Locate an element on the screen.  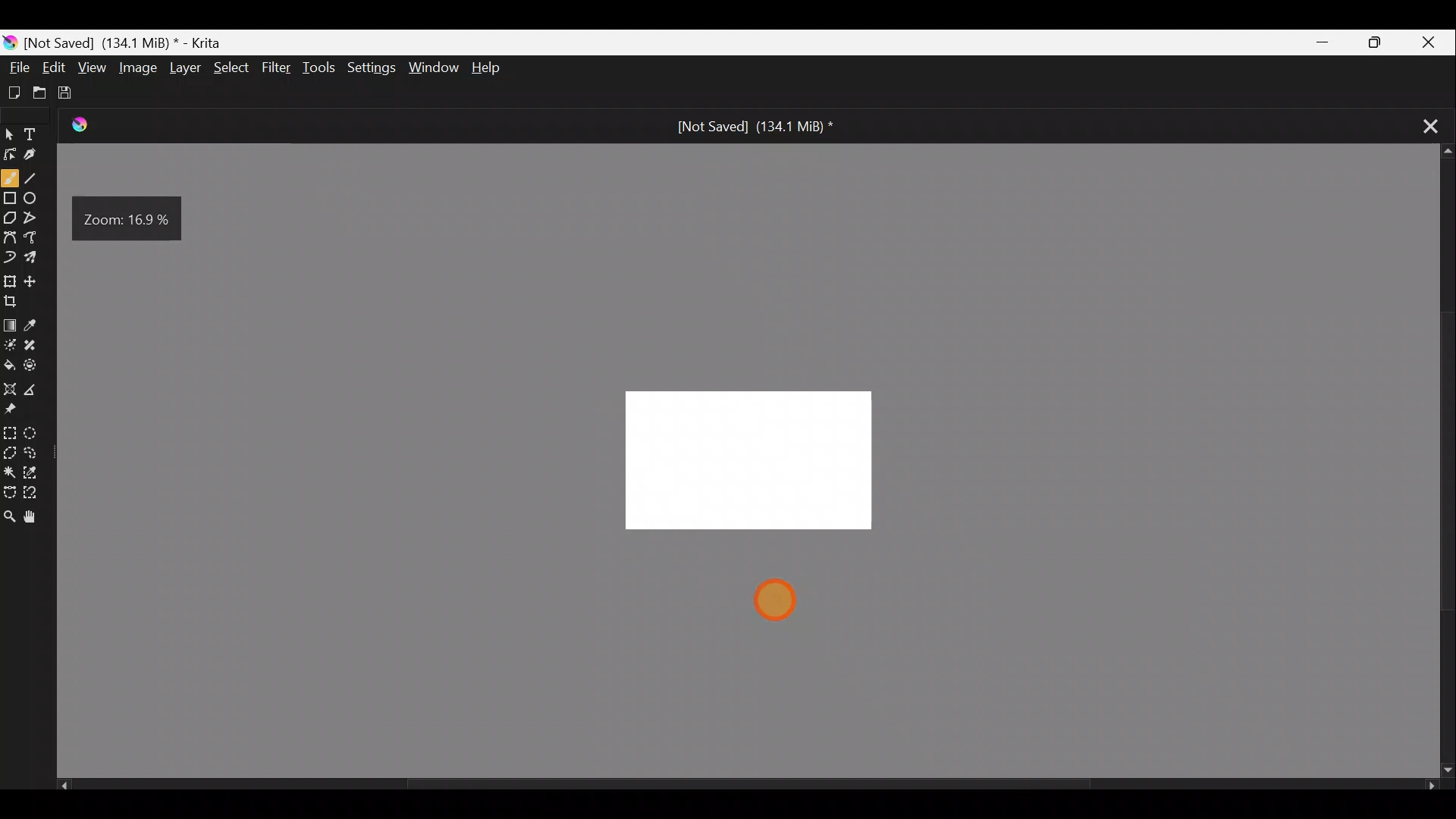
Move a layer is located at coordinates (36, 280).